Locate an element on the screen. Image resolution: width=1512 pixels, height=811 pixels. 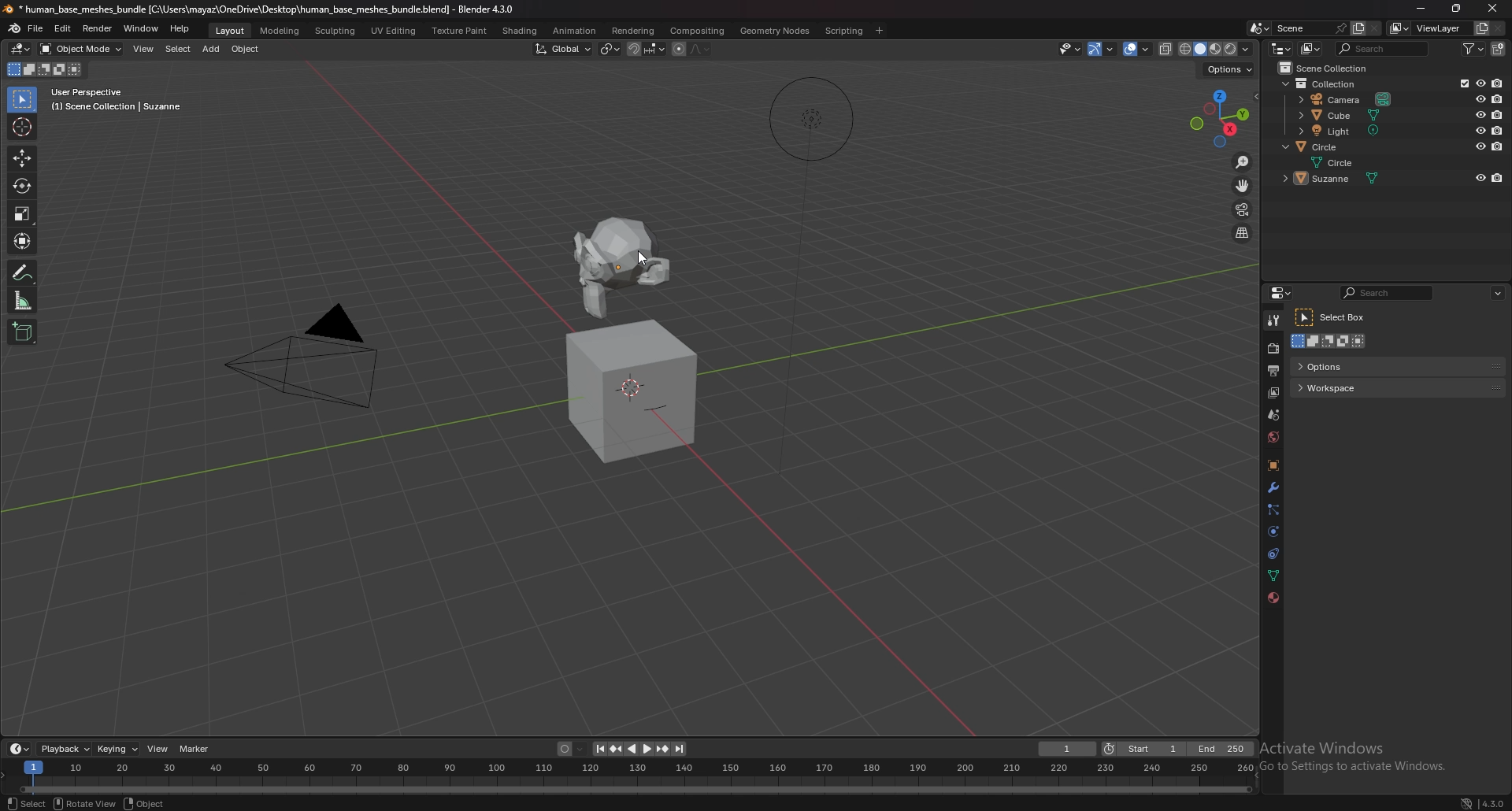
jump to end is located at coordinates (681, 749).